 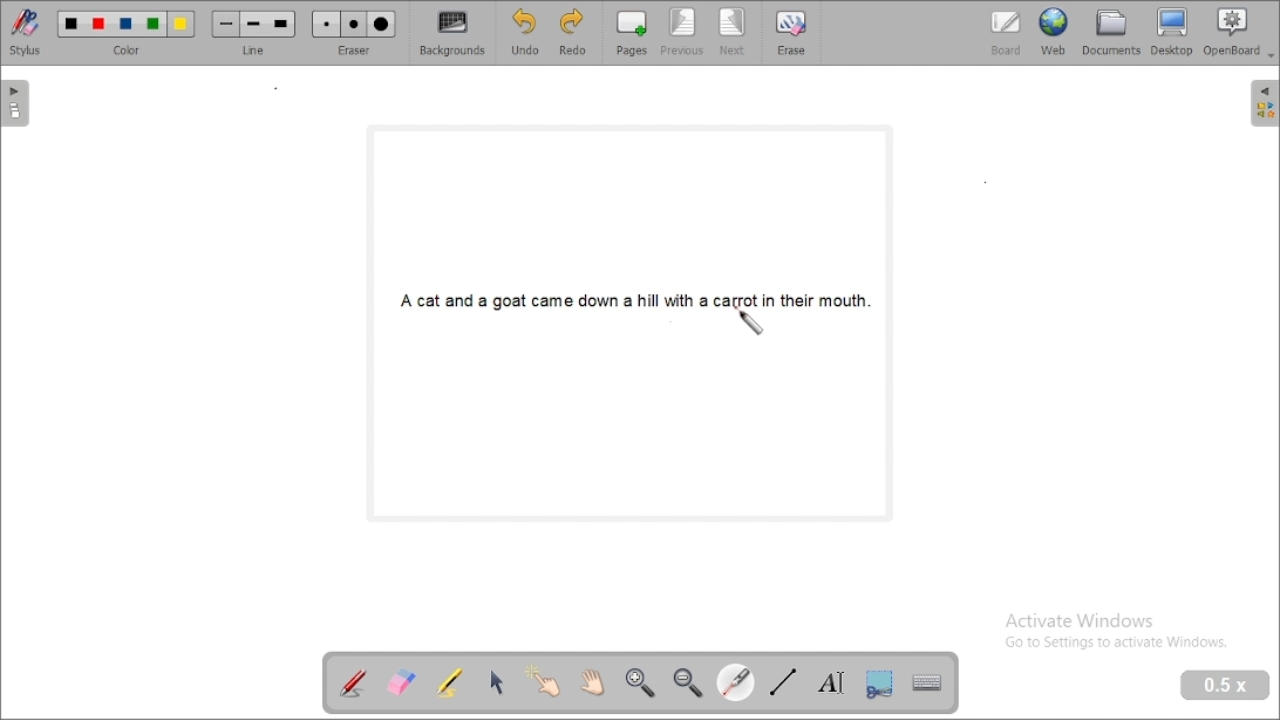 I want to click on color, so click(x=127, y=33).